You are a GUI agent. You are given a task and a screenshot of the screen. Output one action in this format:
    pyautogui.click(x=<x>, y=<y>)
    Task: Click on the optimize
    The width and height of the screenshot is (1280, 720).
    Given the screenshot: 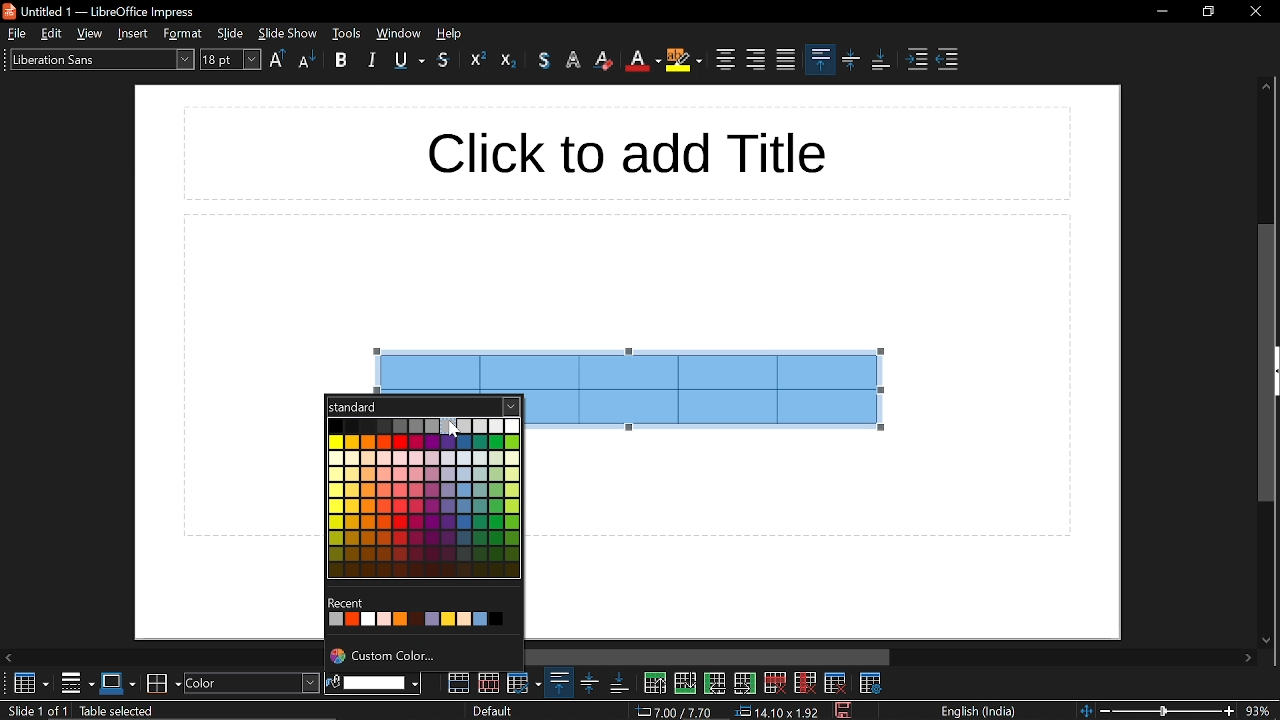 What is the action you would take?
    pyautogui.click(x=525, y=682)
    